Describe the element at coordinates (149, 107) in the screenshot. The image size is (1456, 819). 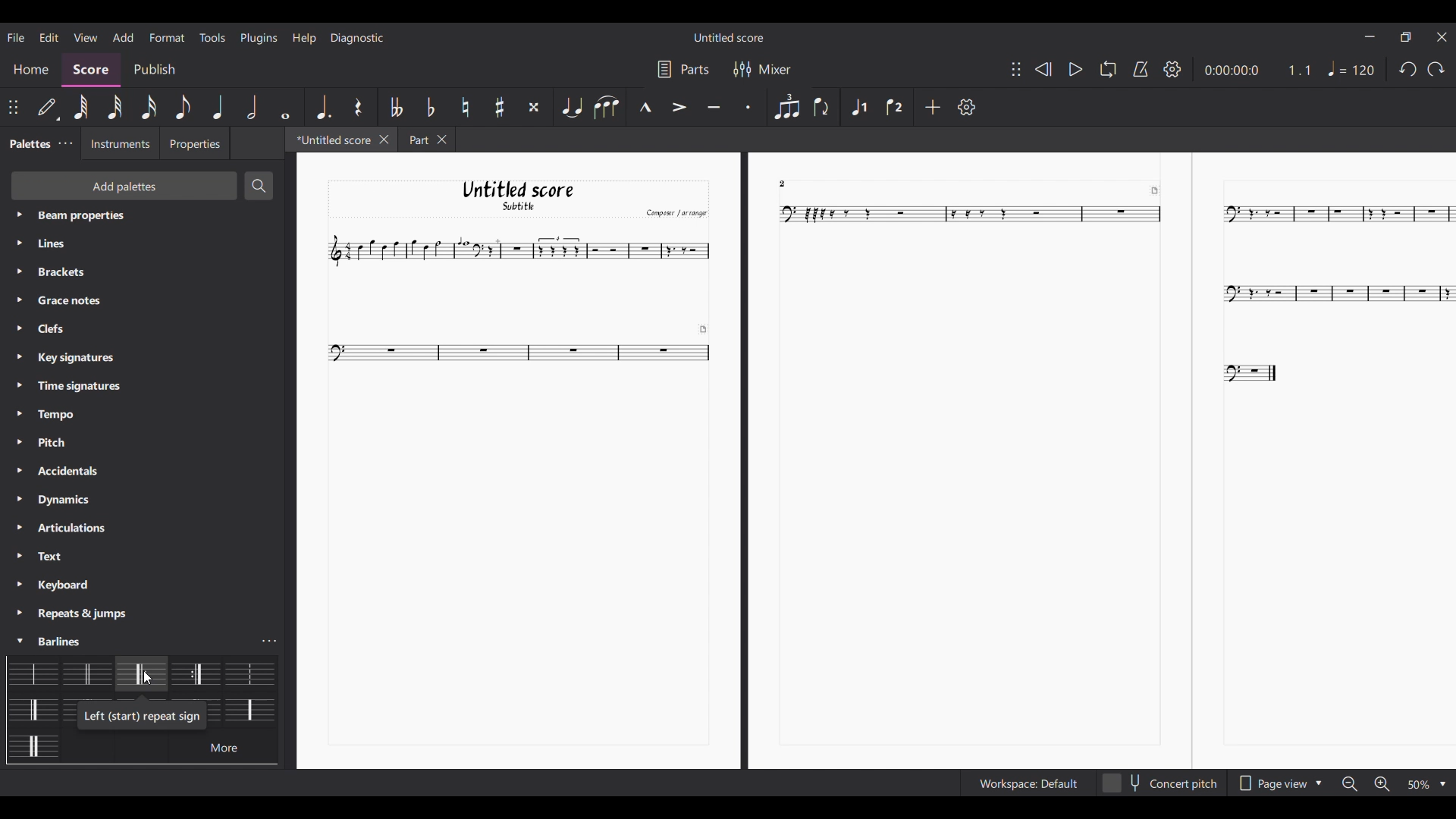
I see `16th note` at that location.